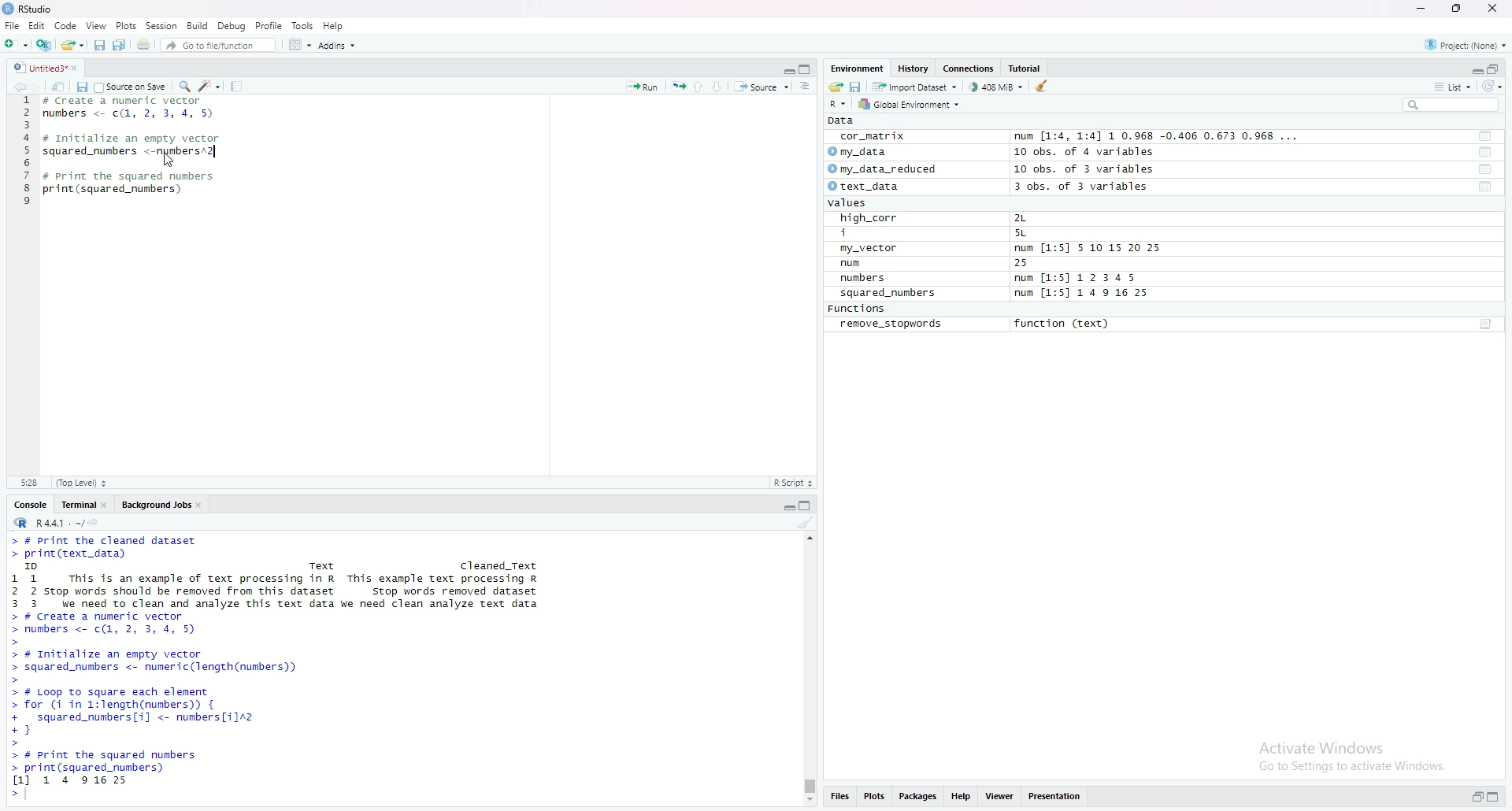 The height and width of the screenshot is (811, 1512). What do you see at coordinates (1091, 187) in the screenshot?
I see `3 obs. of 3 variables` at bounding box center [1091, 187].